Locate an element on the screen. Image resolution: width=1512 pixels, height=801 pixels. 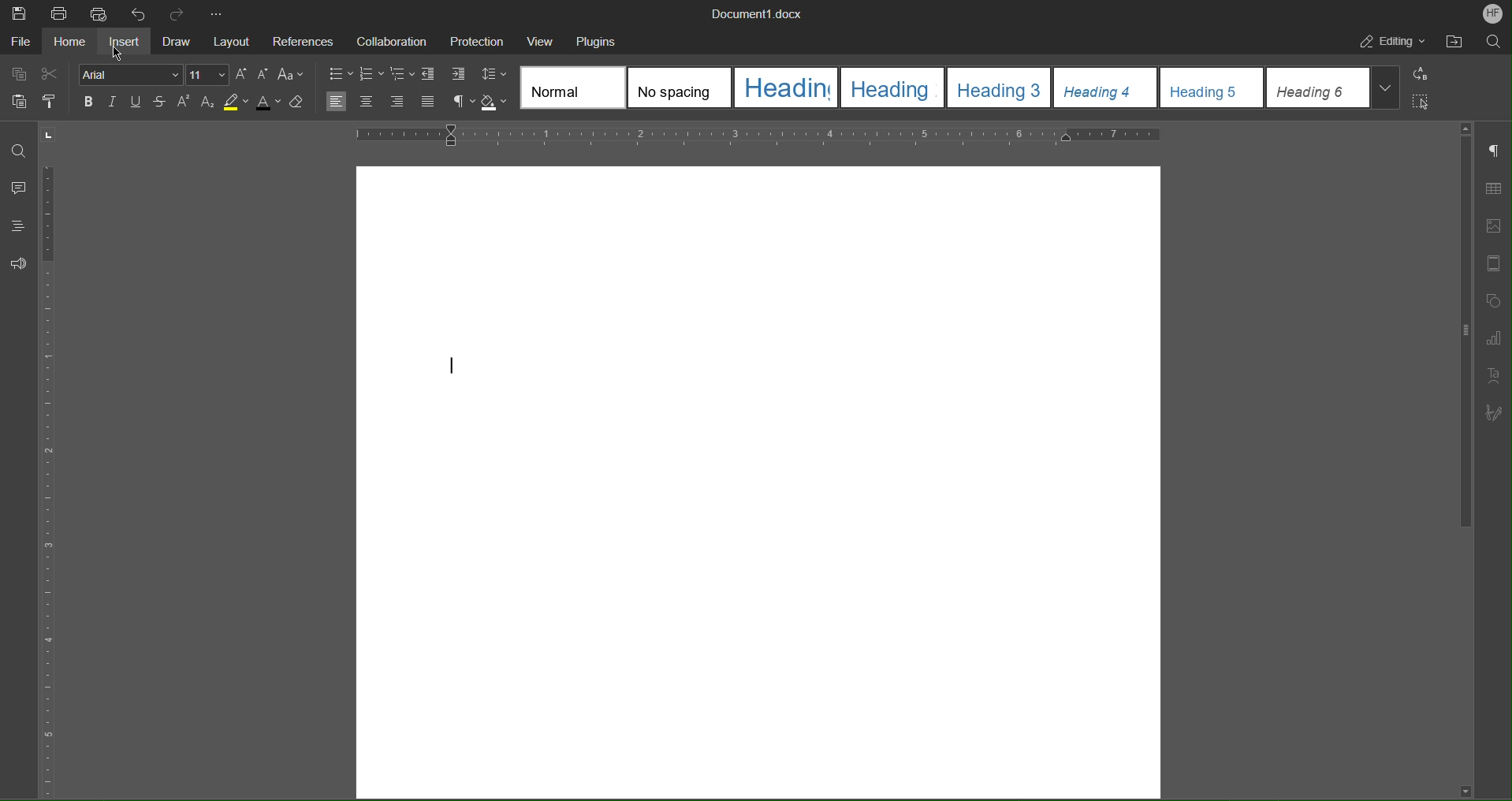
Cut is located at coordinates (51, 74).